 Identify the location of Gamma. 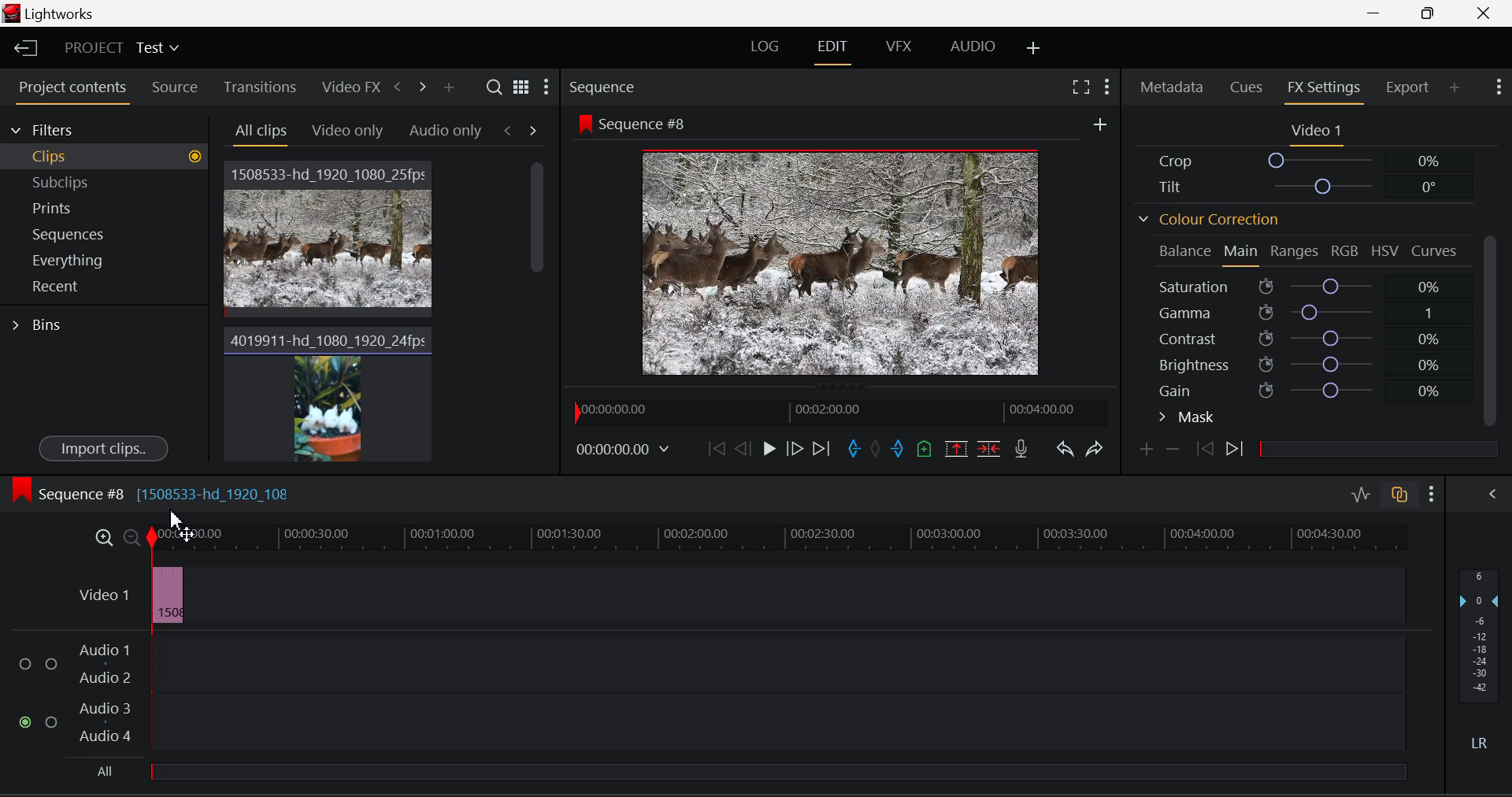
(1303, 313).